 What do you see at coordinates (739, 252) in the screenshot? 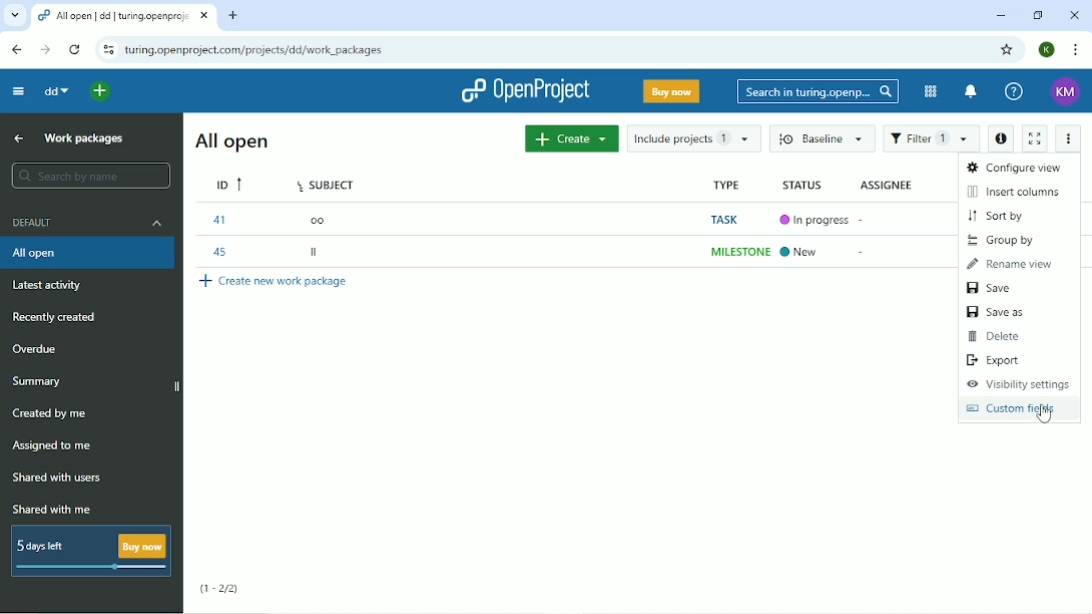
I see `MILESTONE` at bounding box center [739, 252].